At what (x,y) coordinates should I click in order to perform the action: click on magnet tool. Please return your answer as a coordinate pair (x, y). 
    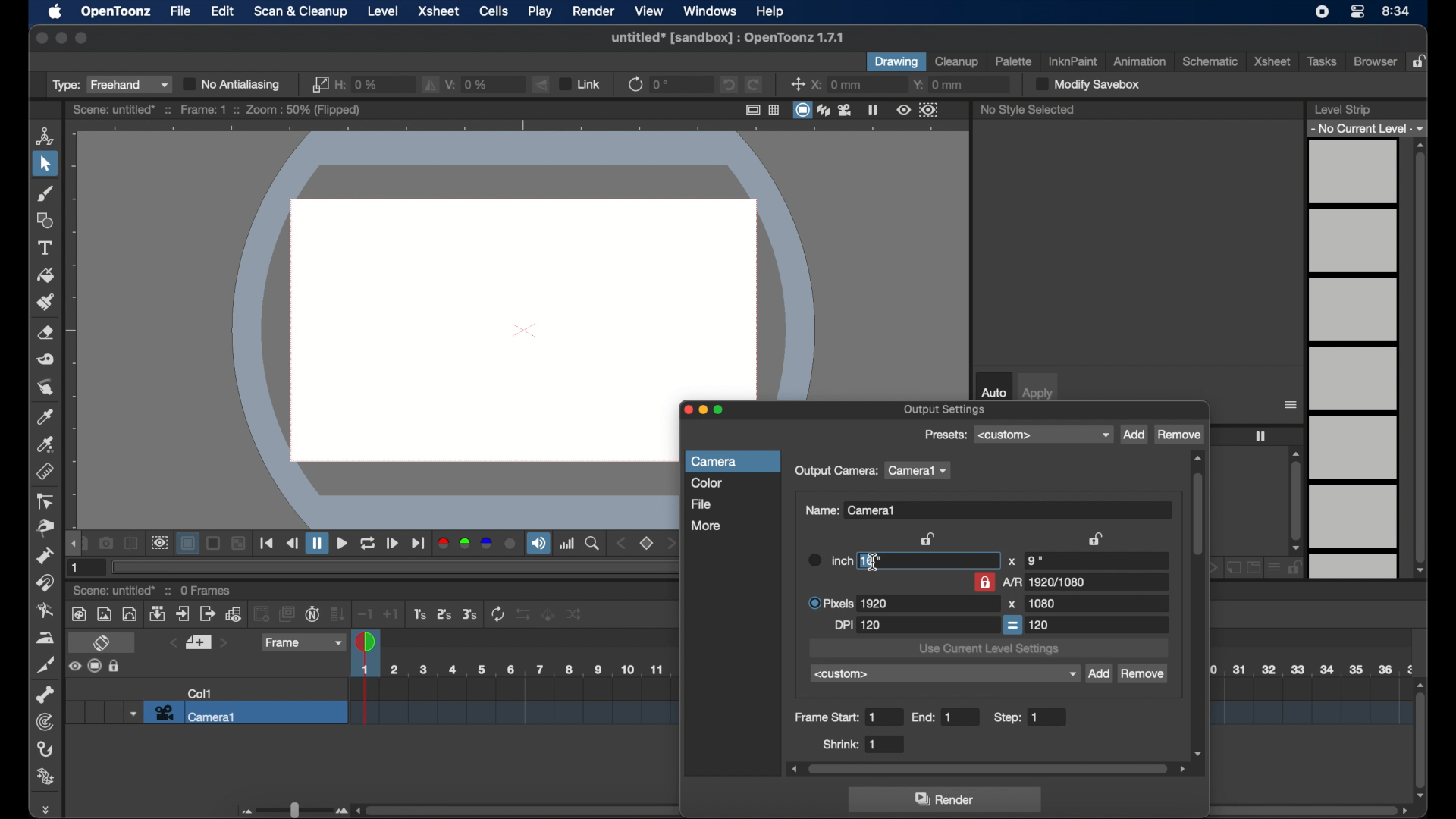
    Looking at the image, I should click on (46, 582).